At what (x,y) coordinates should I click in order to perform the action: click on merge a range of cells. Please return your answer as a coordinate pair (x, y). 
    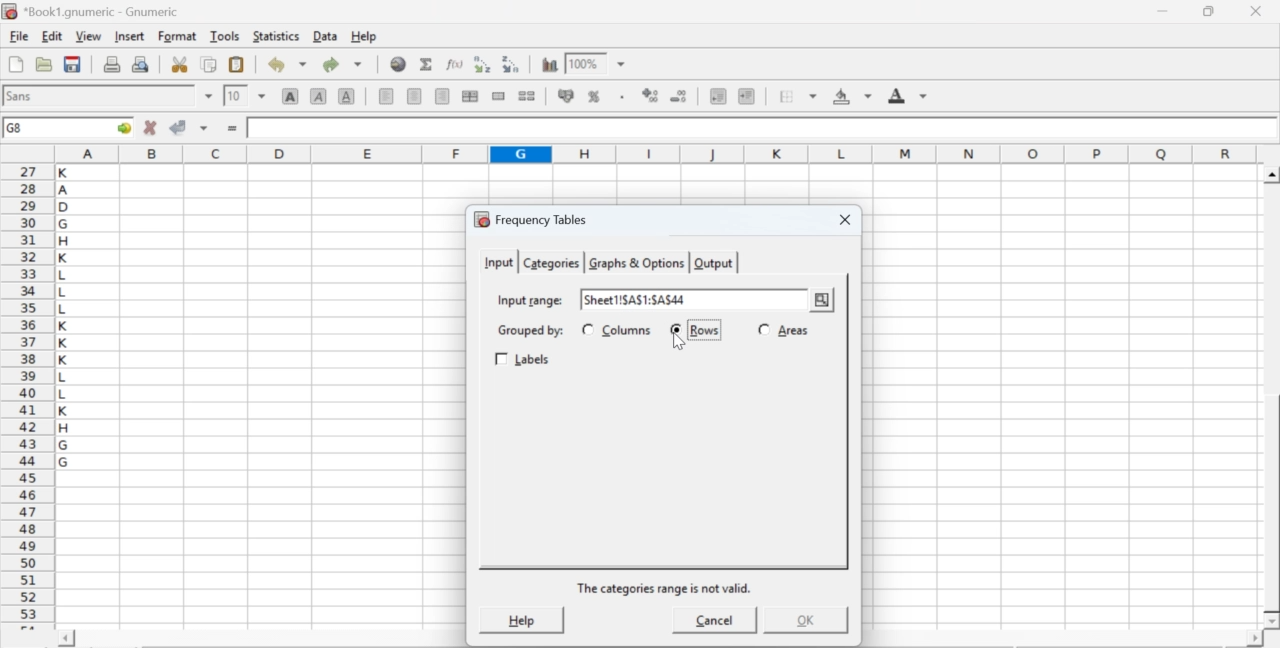
    Looking at the image, I should click on (499, 96).